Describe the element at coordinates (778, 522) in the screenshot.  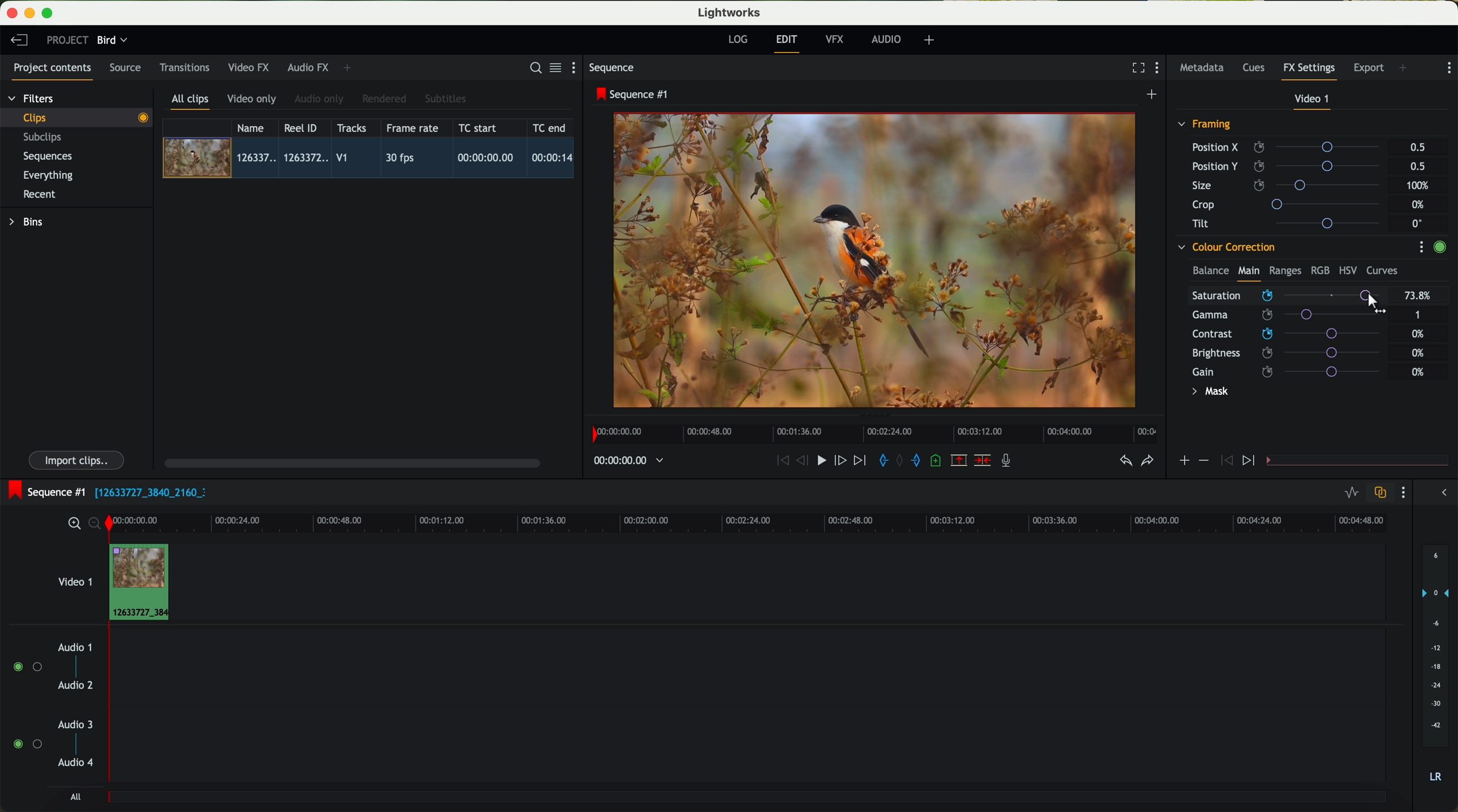
I see `timeline` at that location.